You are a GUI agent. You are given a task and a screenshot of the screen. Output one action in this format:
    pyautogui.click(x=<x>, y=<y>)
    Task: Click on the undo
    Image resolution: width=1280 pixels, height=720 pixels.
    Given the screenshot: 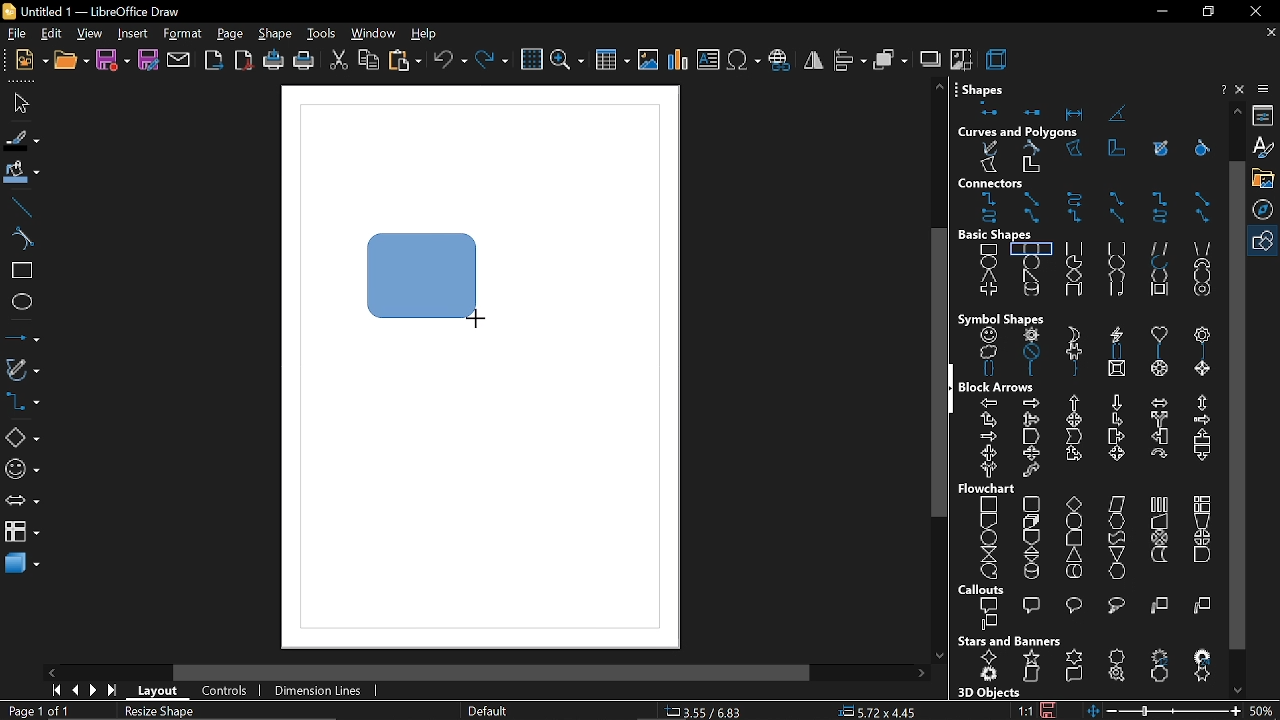 What is the action you would take?
    pyautogui.click(x=450, y=62)
    